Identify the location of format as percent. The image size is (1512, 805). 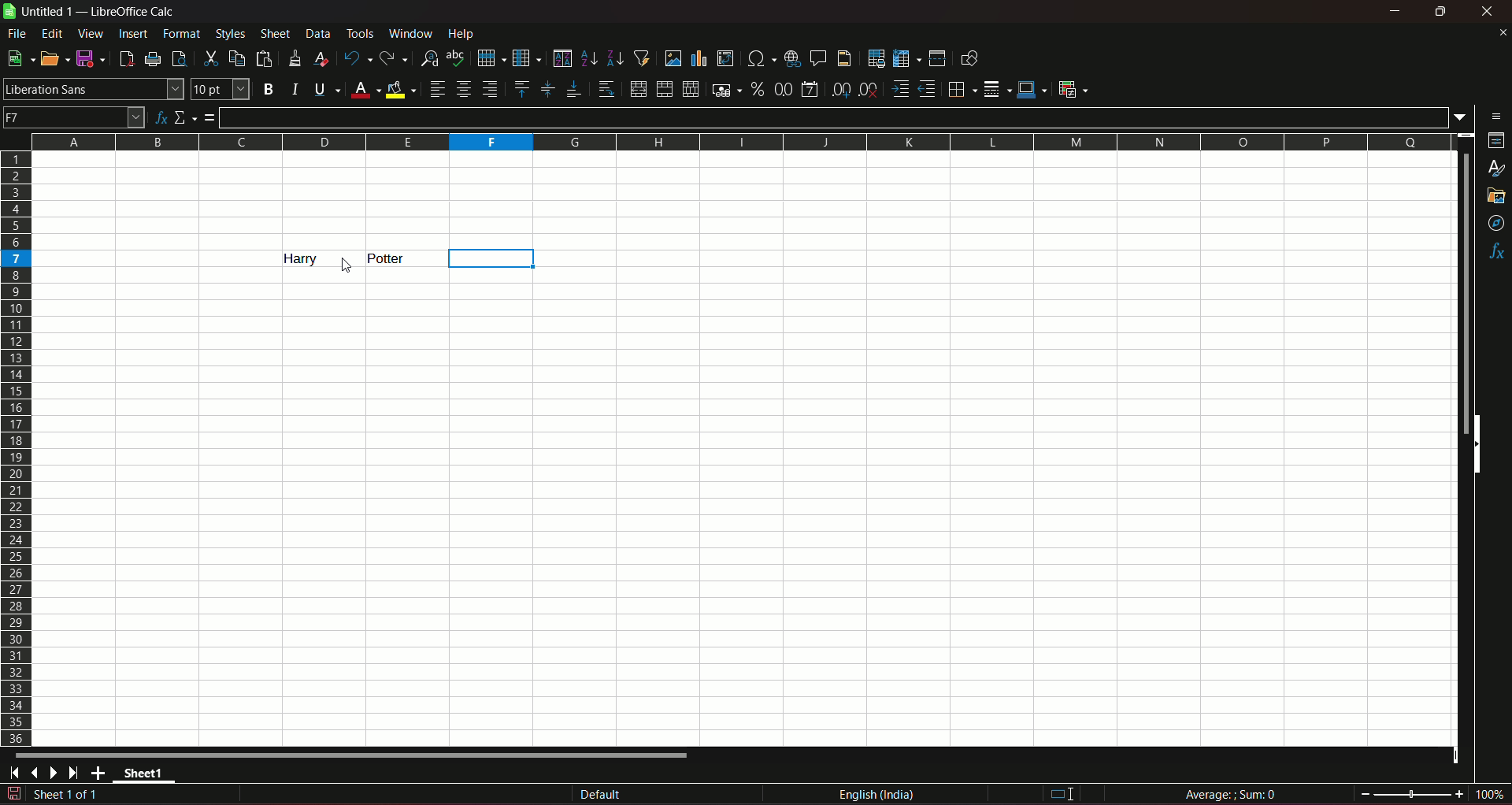
(757, 88).